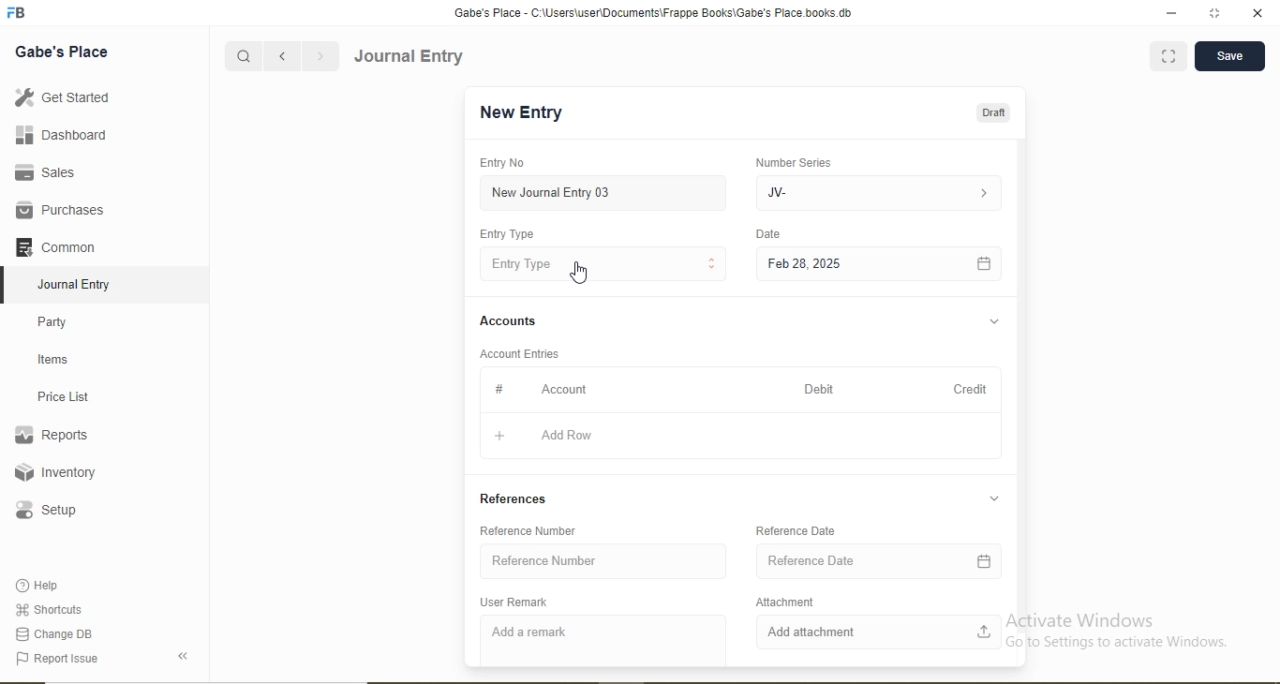  Describe the element at coordinates (501, 162) in the screenshot. I see `Entry No` at that location.